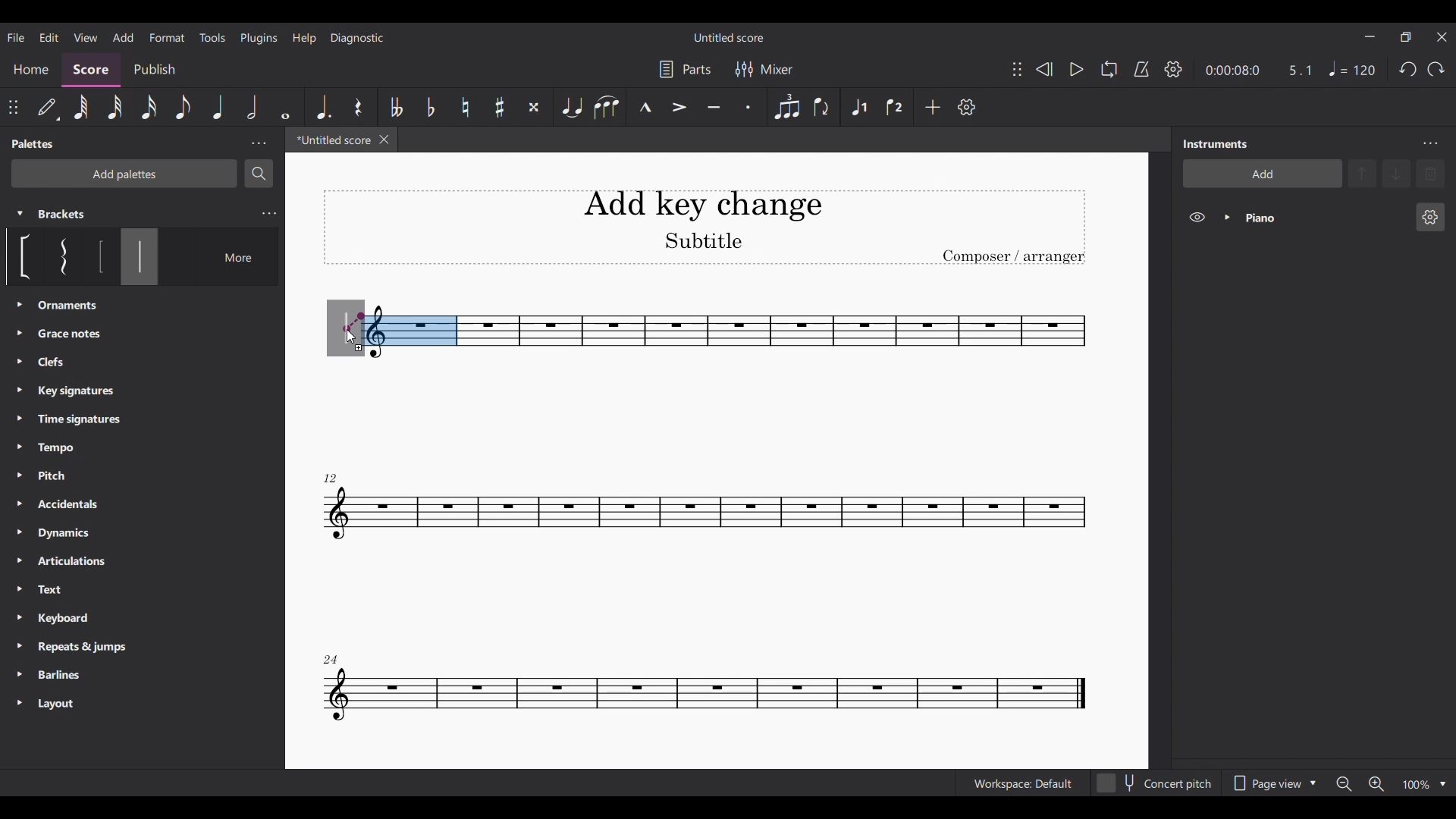  Describe the element at coordinates (679, 105) in the screenshot. I see `Accent` at that location.